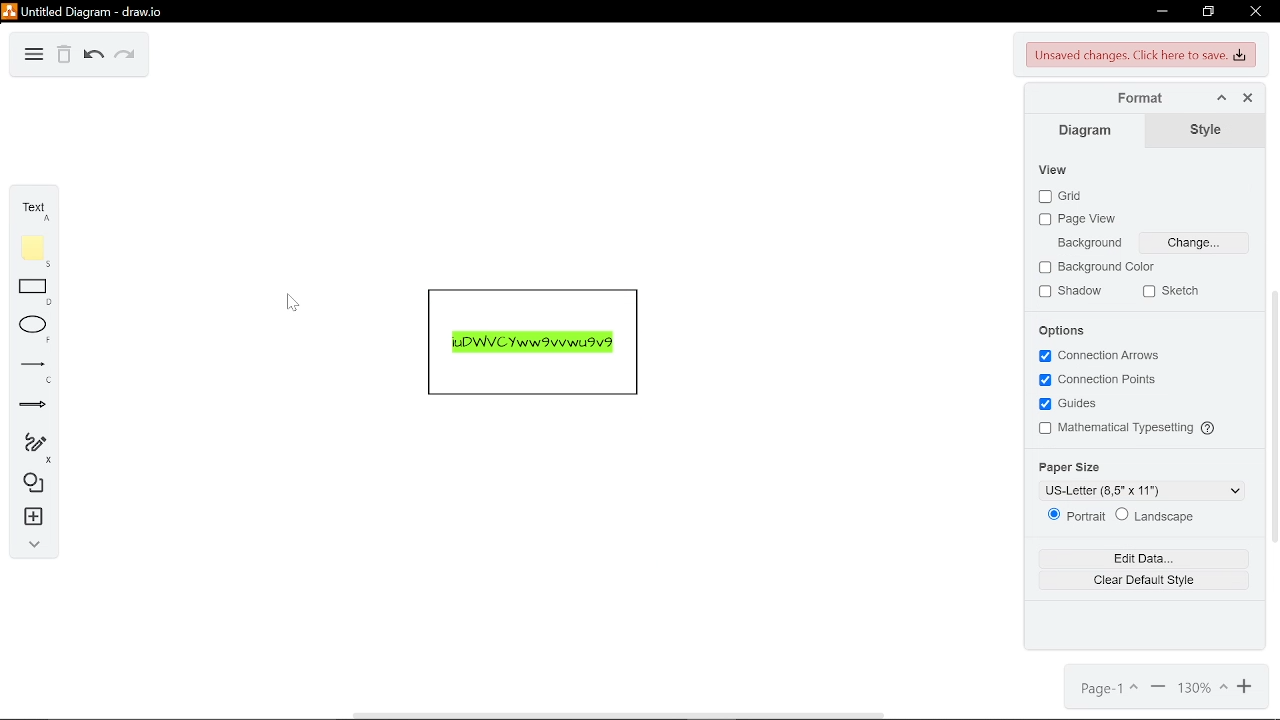 Image resolution: width=1280 pixels, height=720 pixels. What do you see at coordinates (30, 206) in the screenshot?
I see `text` at bounding box center [30, 206].